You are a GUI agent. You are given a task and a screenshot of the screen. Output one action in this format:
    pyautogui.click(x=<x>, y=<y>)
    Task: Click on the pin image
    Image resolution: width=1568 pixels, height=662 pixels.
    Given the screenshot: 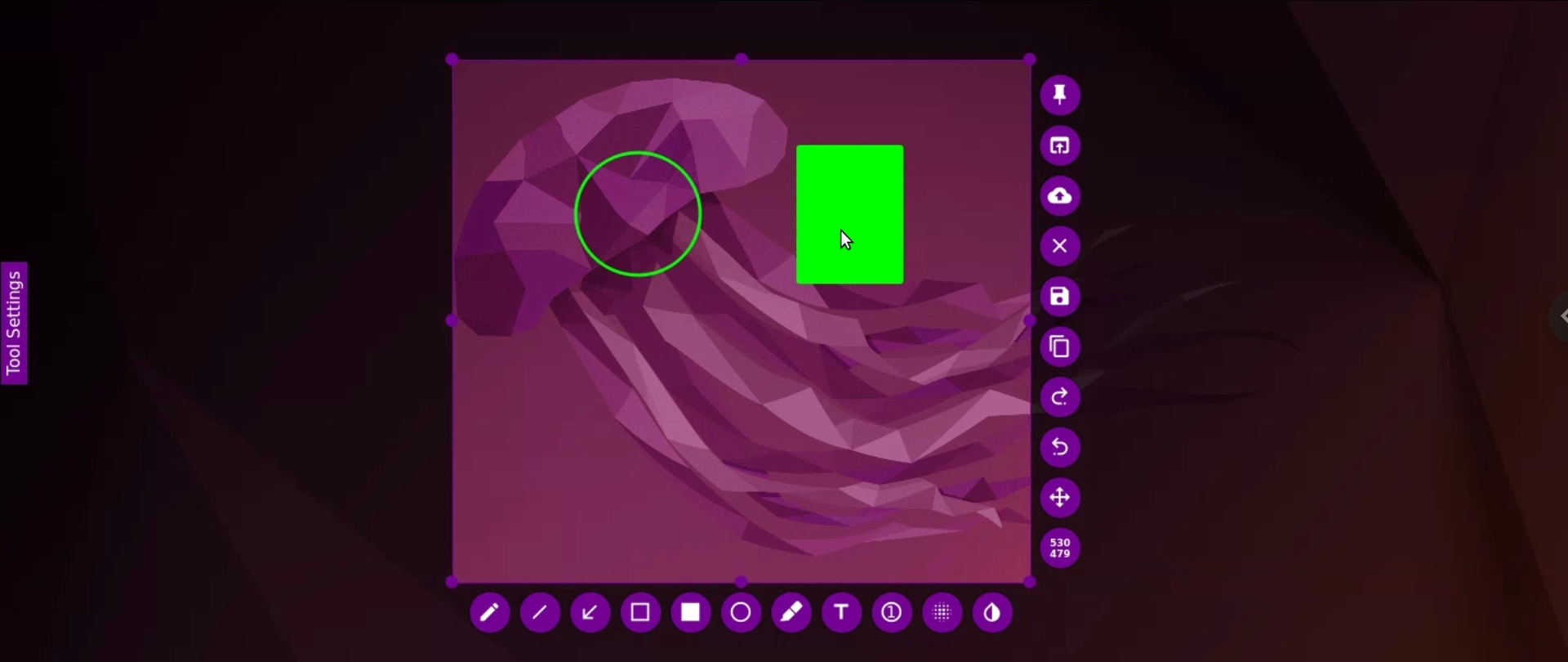 What is the action you would take?
    pyautogui.click(x=1057, y=92)
    